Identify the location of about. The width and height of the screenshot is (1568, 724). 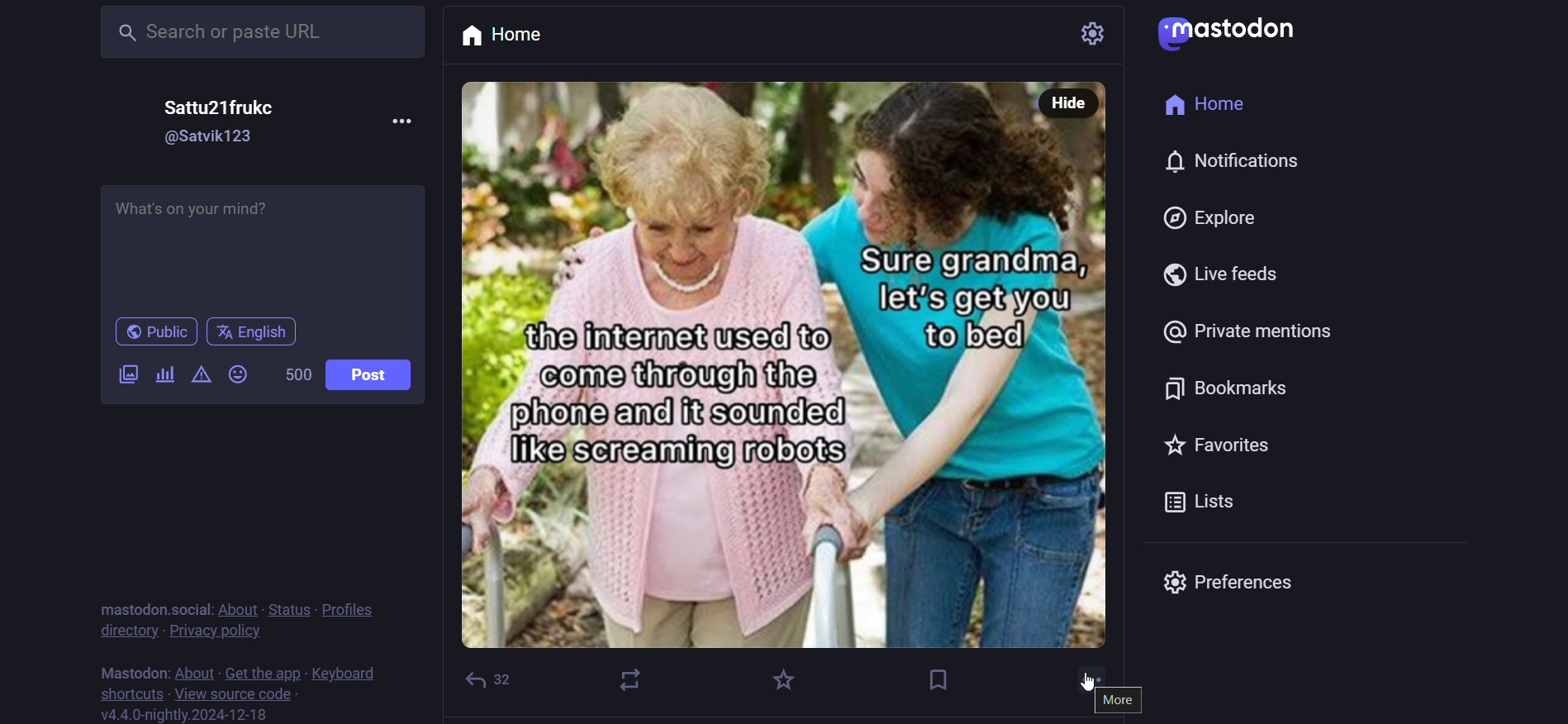
(239, 605).